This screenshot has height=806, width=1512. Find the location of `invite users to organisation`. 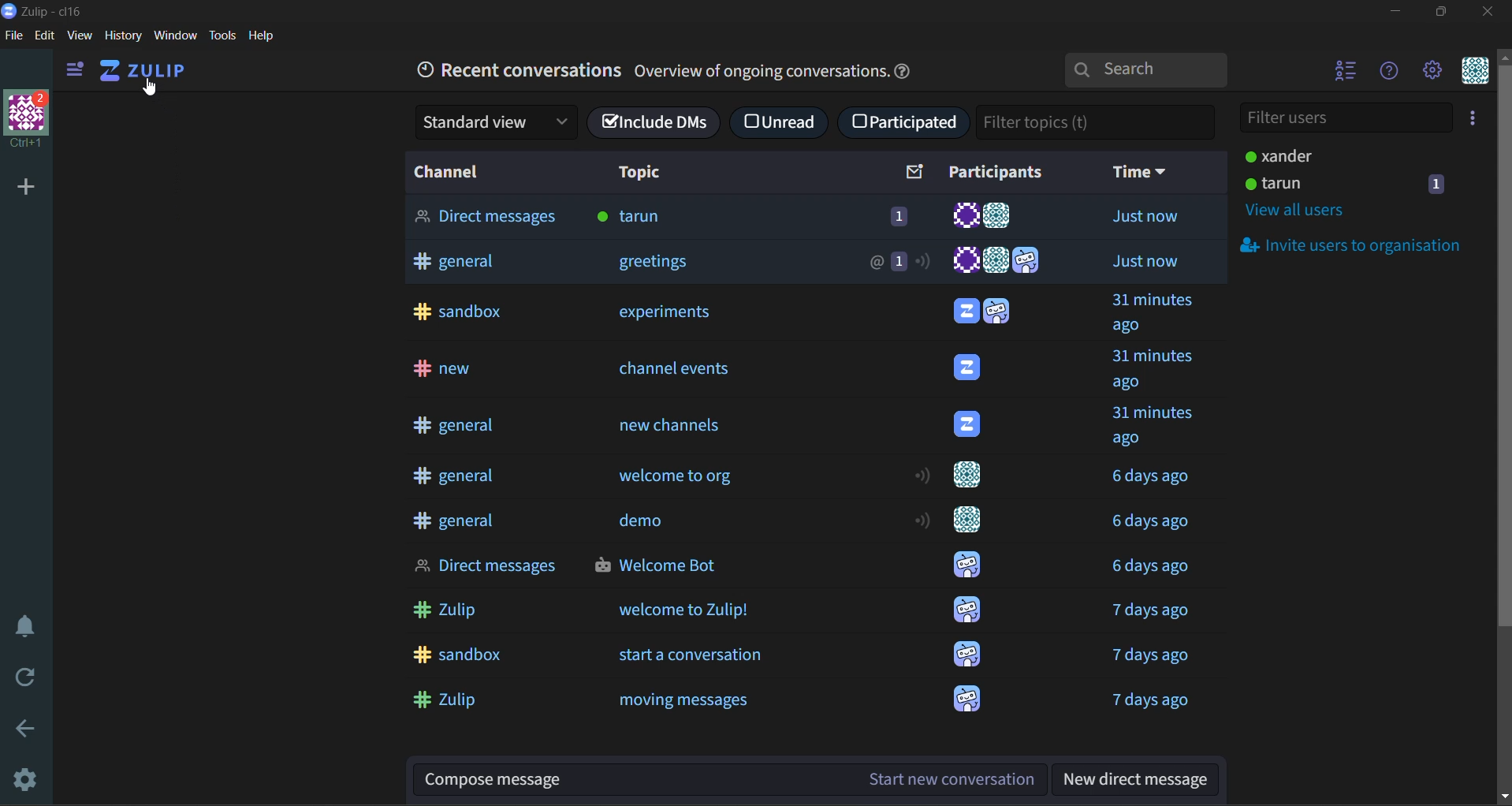

invite users to organisation is located at coordinates (1360, 245).